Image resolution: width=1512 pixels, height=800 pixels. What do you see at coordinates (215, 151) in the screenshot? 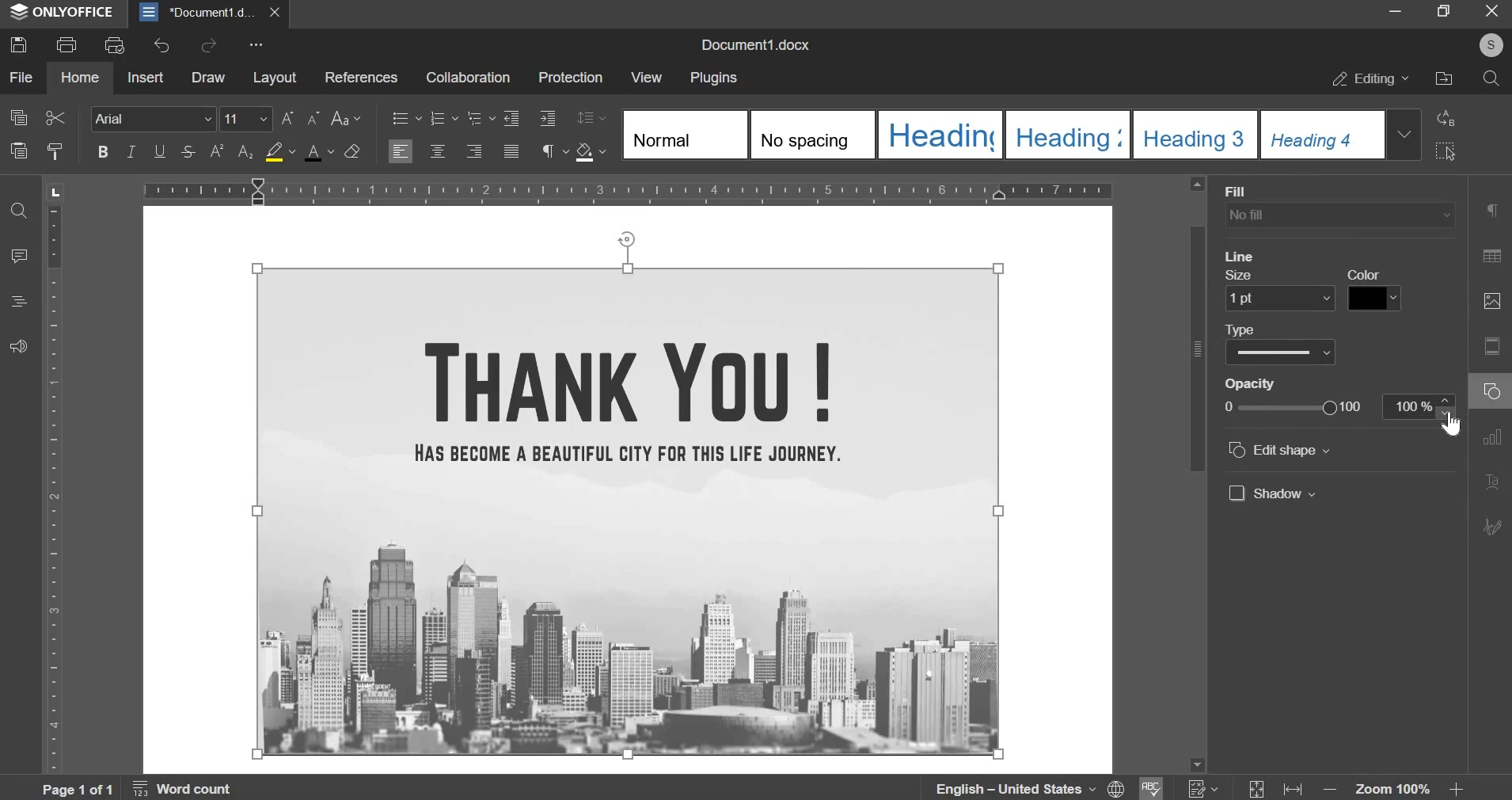
I see `superscript` at bounding box center [215, 151].